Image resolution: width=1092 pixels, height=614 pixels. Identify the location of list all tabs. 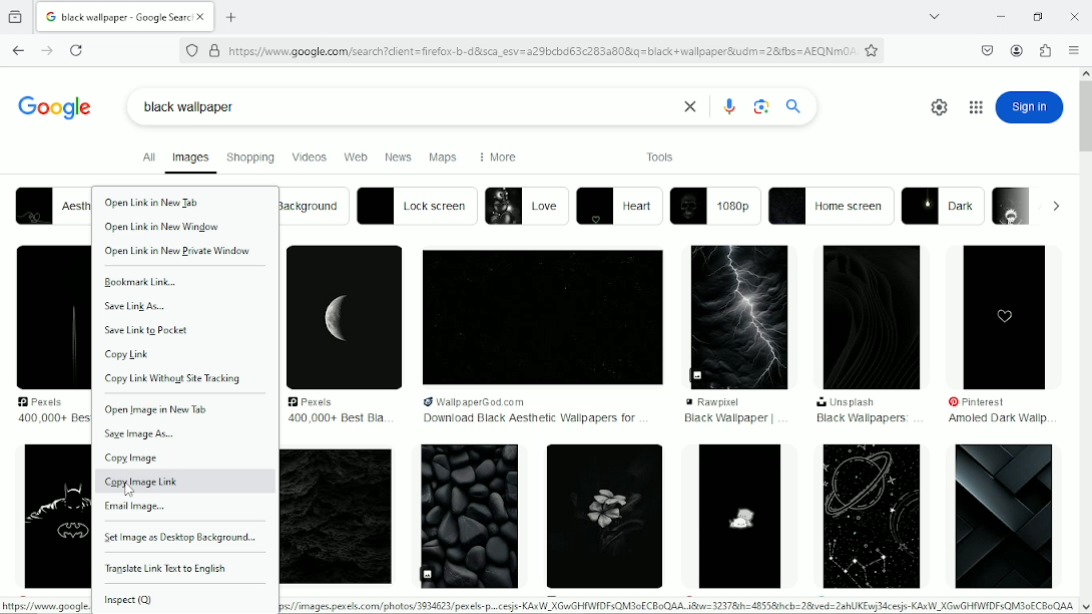
(934, 17).